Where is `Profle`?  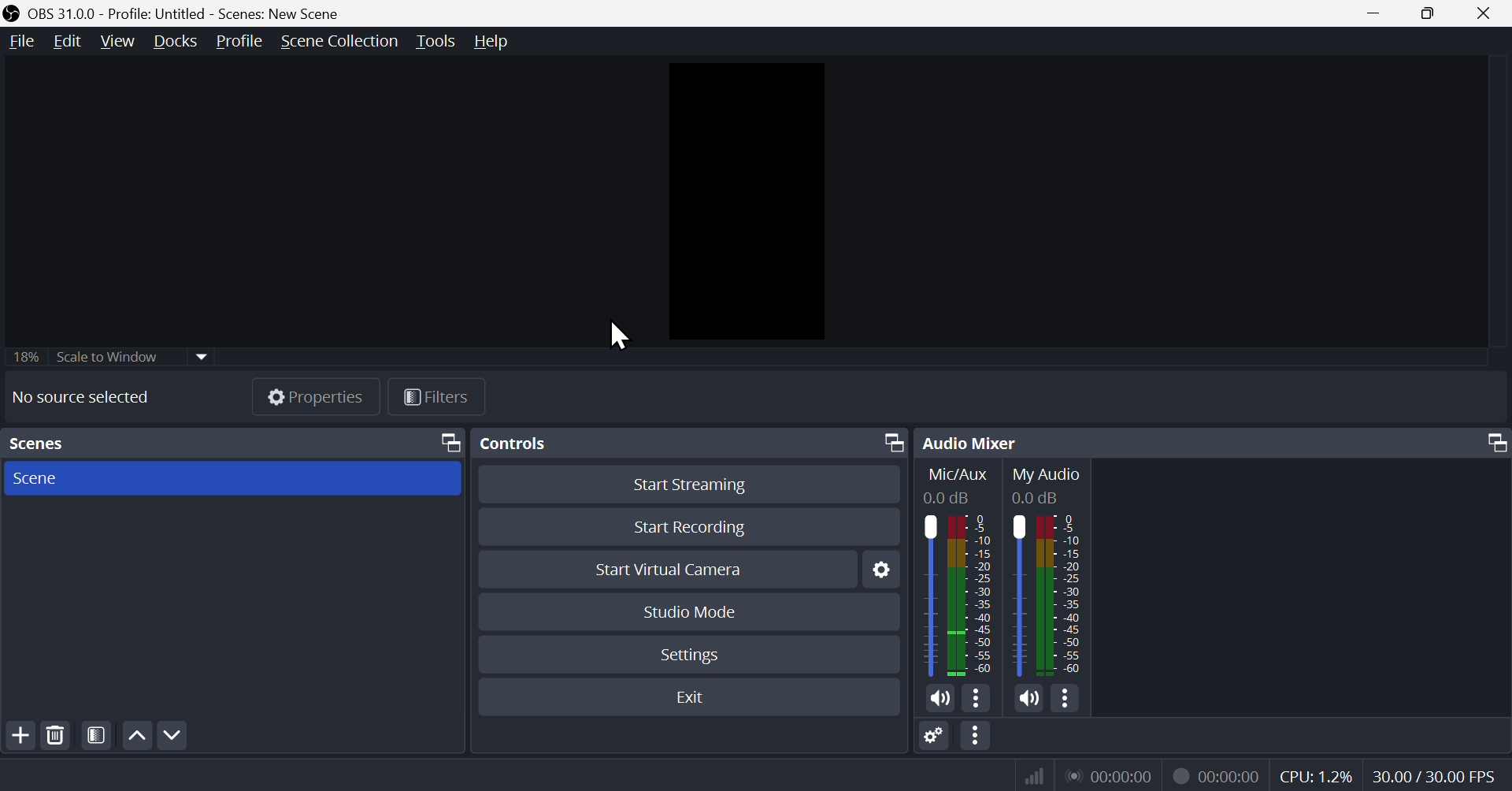 Profle is located at coordinates (239, 43).